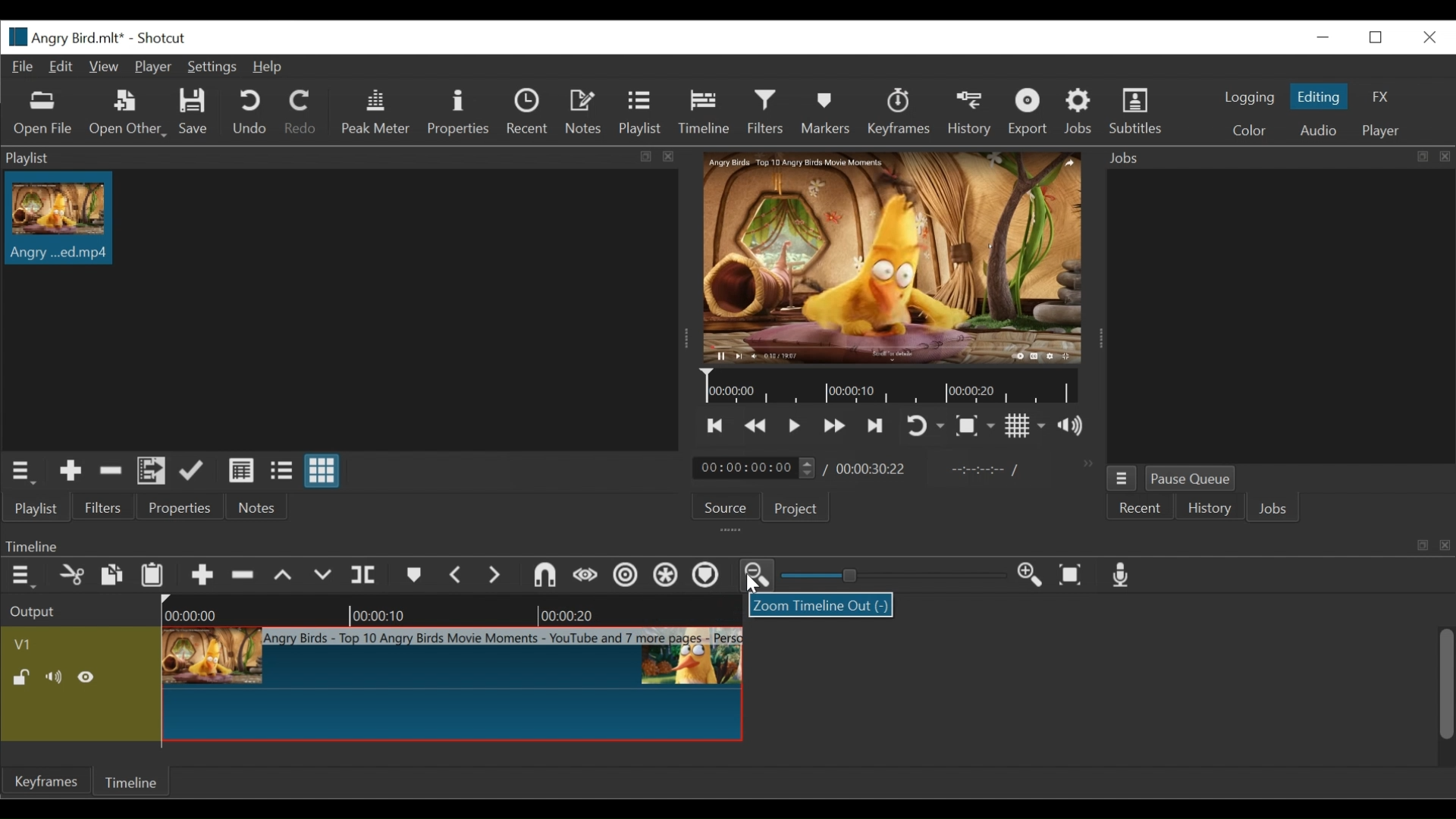 The width and height of the screenshot is (1456, 819). What do you see at coordinates (889, 257) in the screenshot?
I see `Media Viewer` at bounding box center [889, 257].